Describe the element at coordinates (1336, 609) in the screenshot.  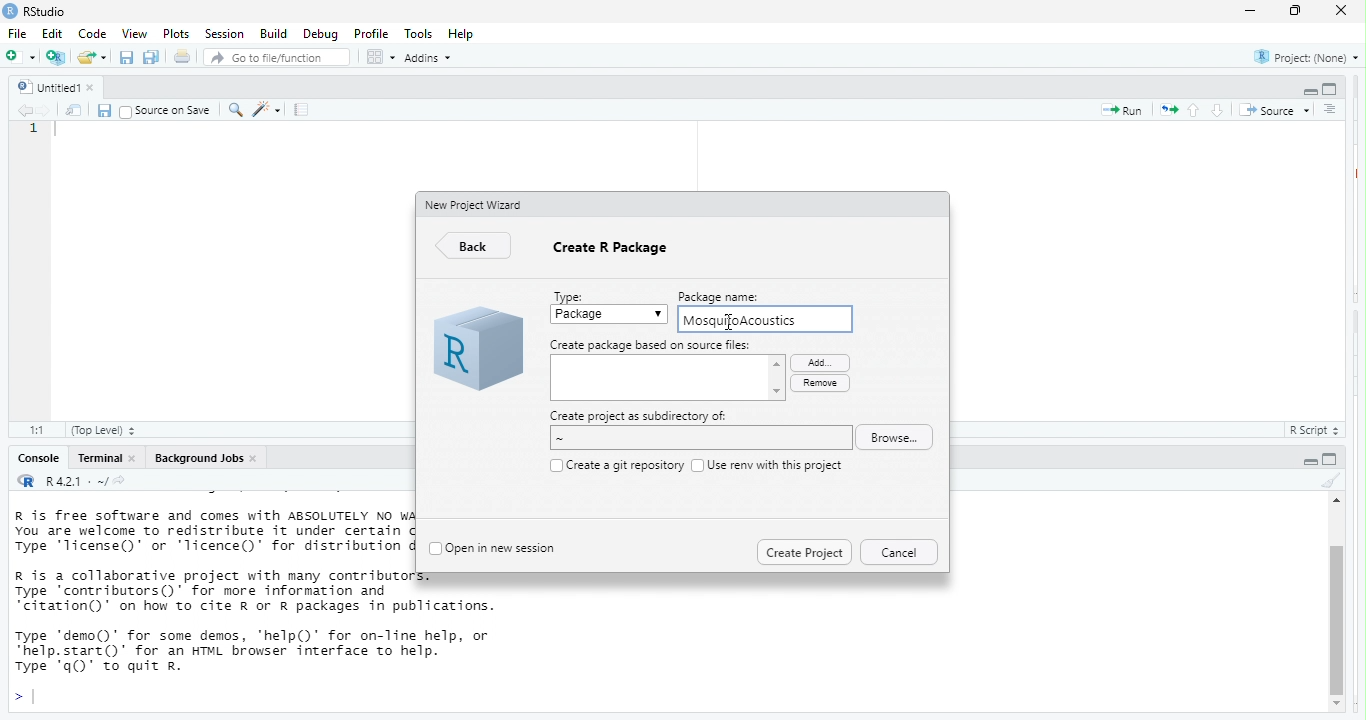
I see `vertical scroll bar` at that location.